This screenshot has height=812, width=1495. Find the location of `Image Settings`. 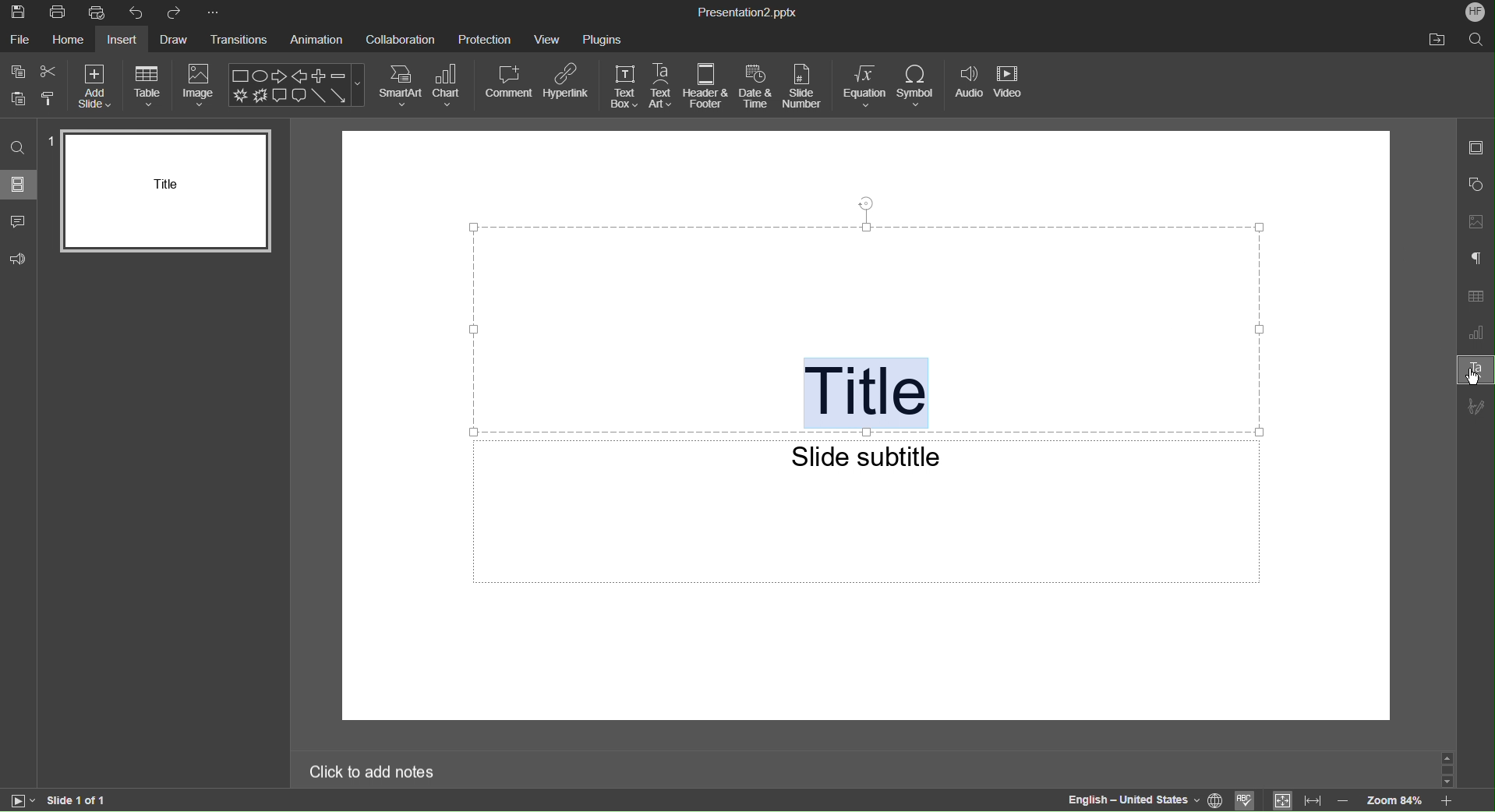

Image Settings is located at coordinates (1476, 223).